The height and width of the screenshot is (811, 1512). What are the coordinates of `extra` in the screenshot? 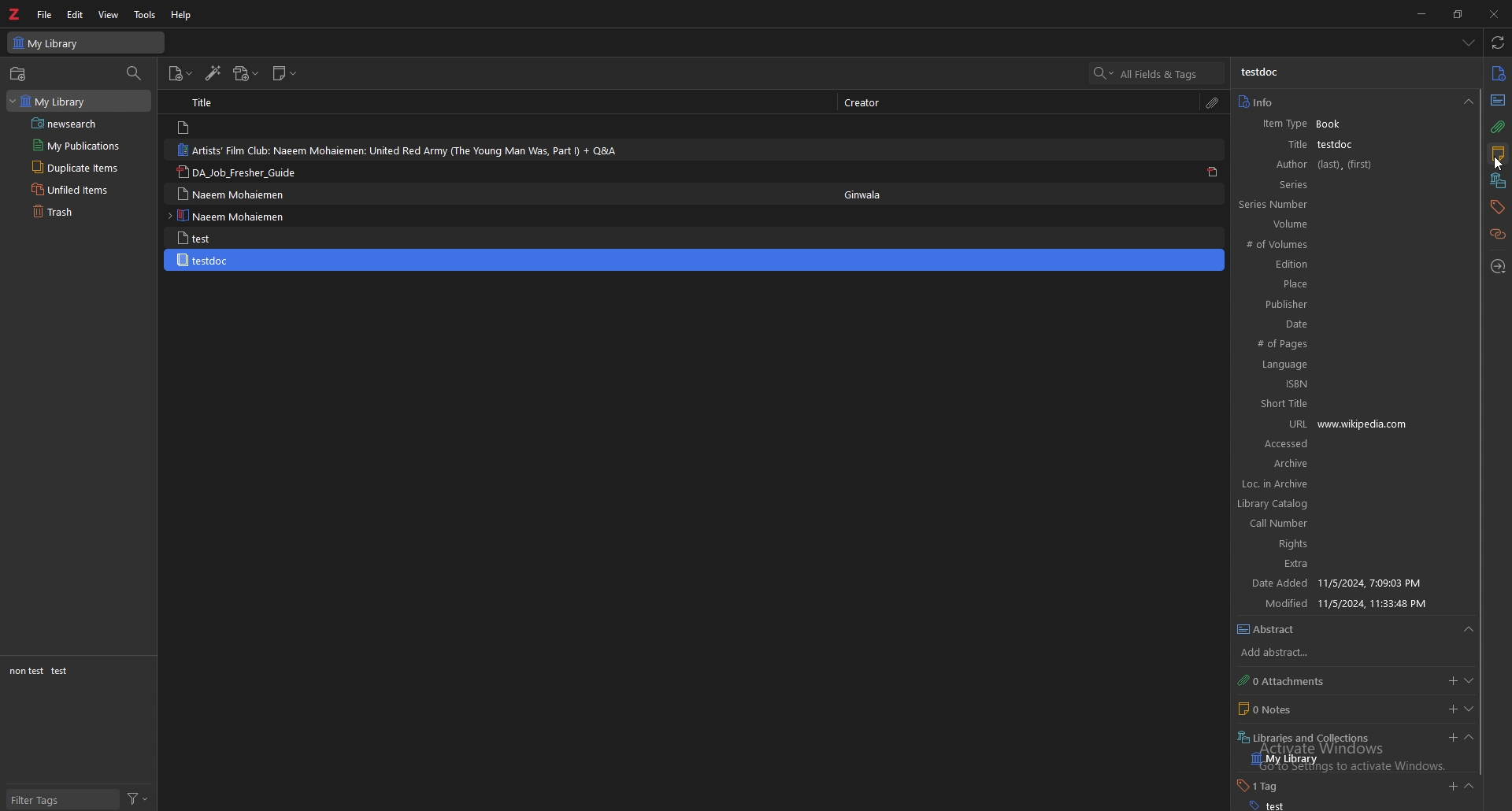 It's located at (1351, 565).